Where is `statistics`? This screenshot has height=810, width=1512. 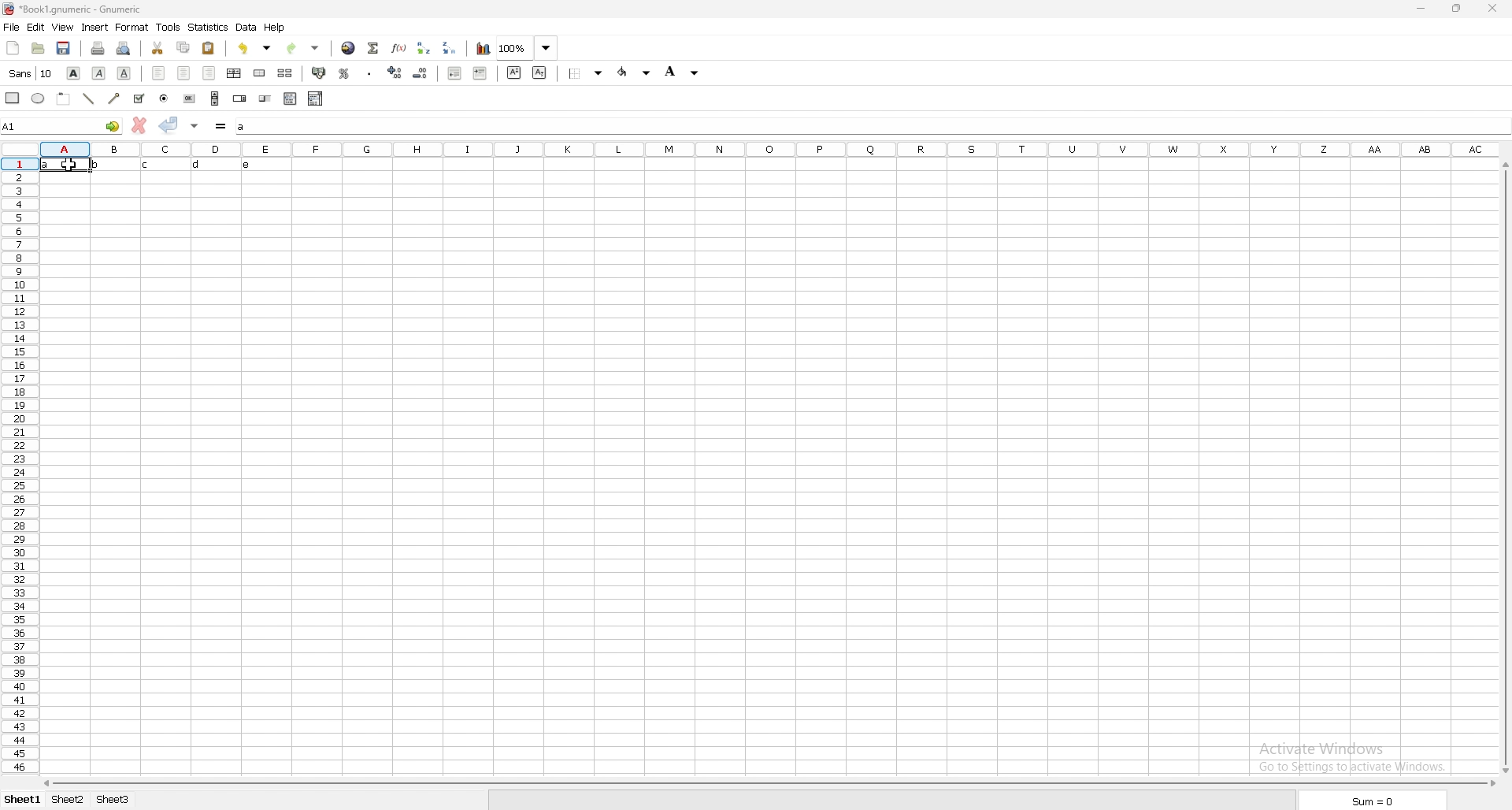
statistics is located at coordinates (209, 28).